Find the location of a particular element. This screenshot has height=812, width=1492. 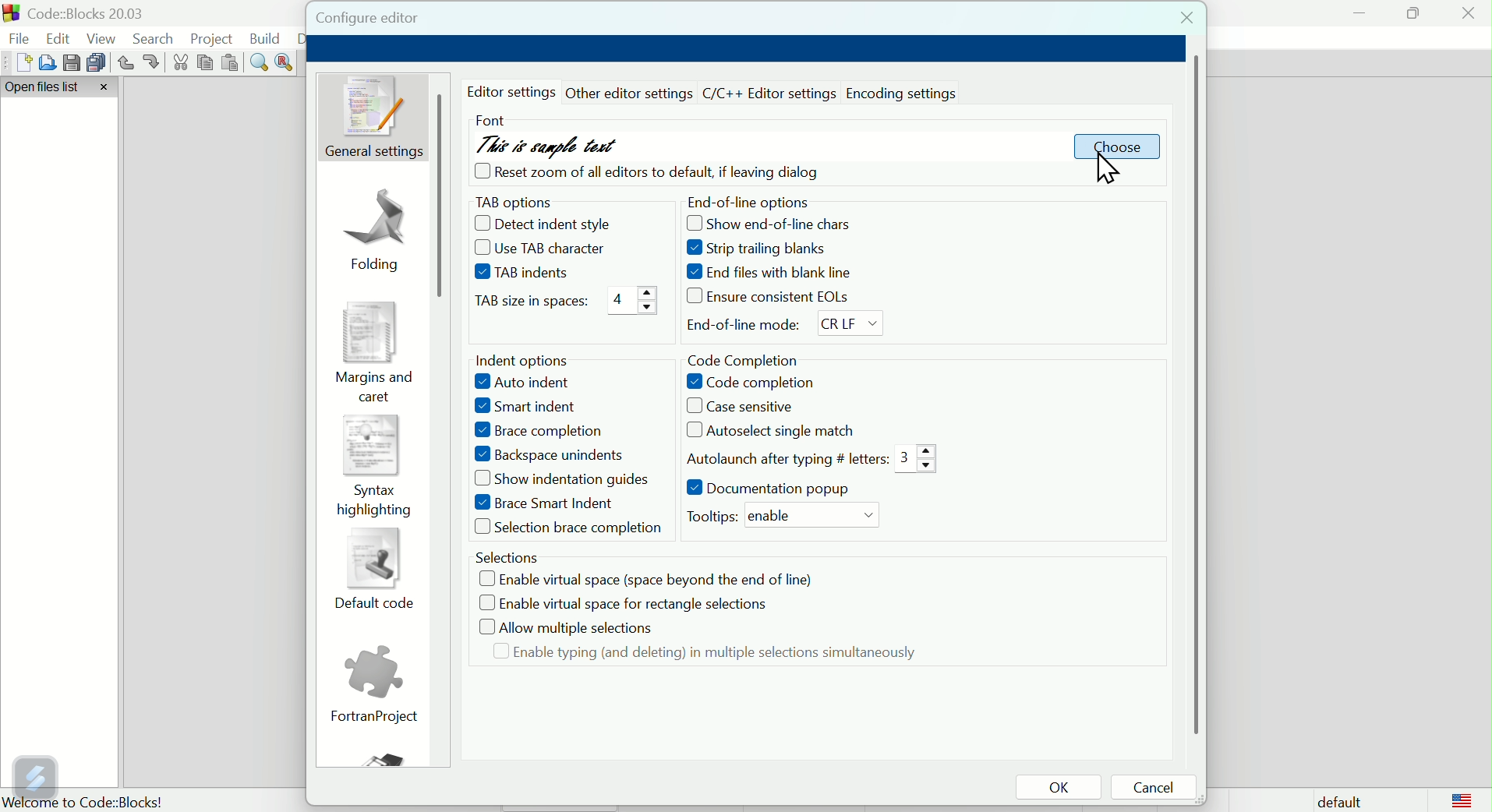

View is located at coordinates (104, 38).